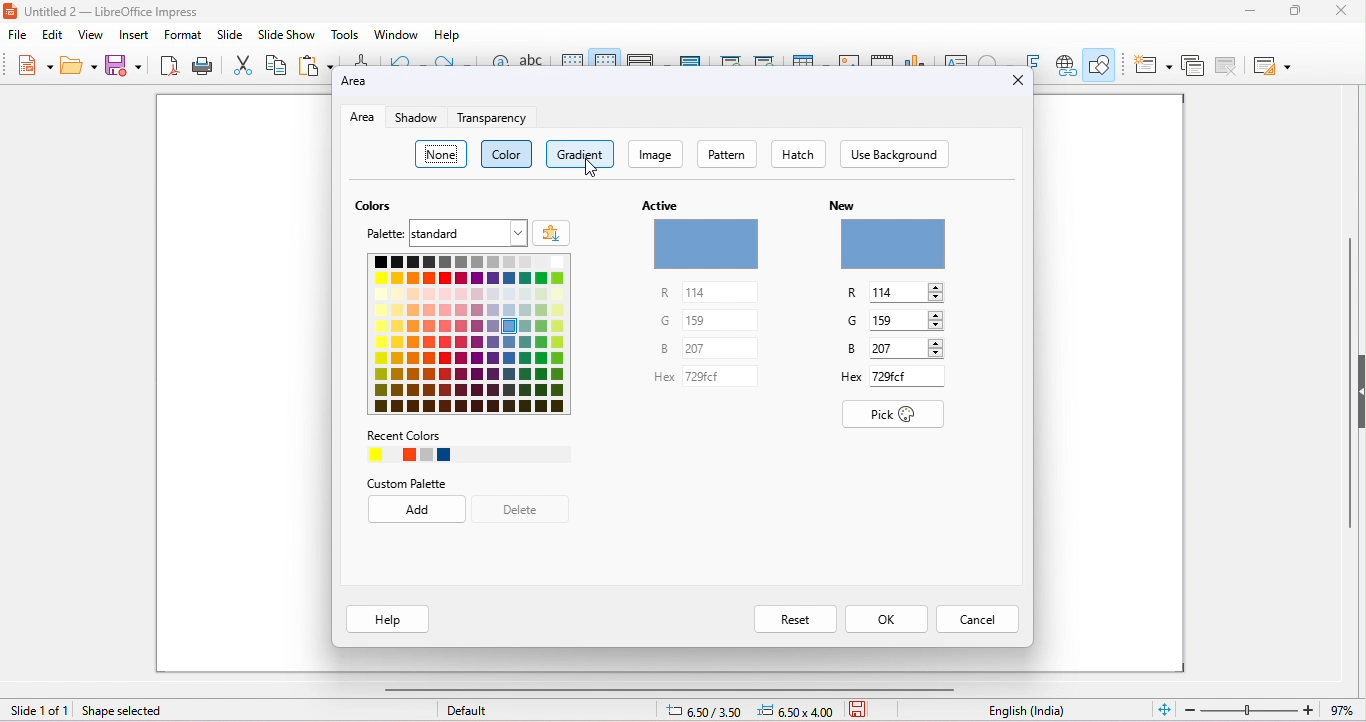 The width and height of the screenshot is (1366, 722). What do you see at coordinates (849, 57) in the screenshot?
I see `insert image` at bounding box center [849, 57].